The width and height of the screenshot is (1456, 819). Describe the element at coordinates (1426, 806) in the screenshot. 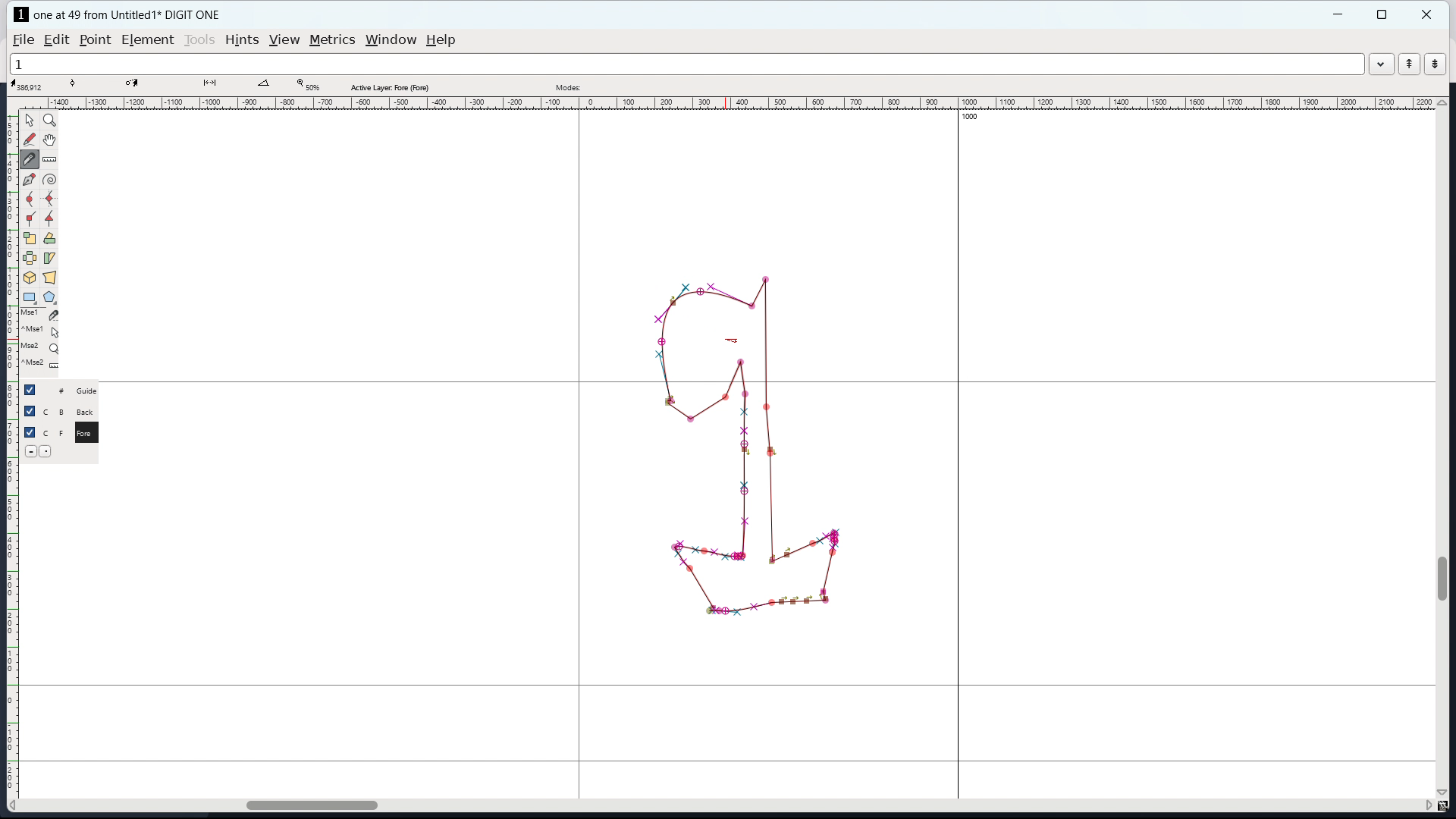

I see `scroll right` at that location.